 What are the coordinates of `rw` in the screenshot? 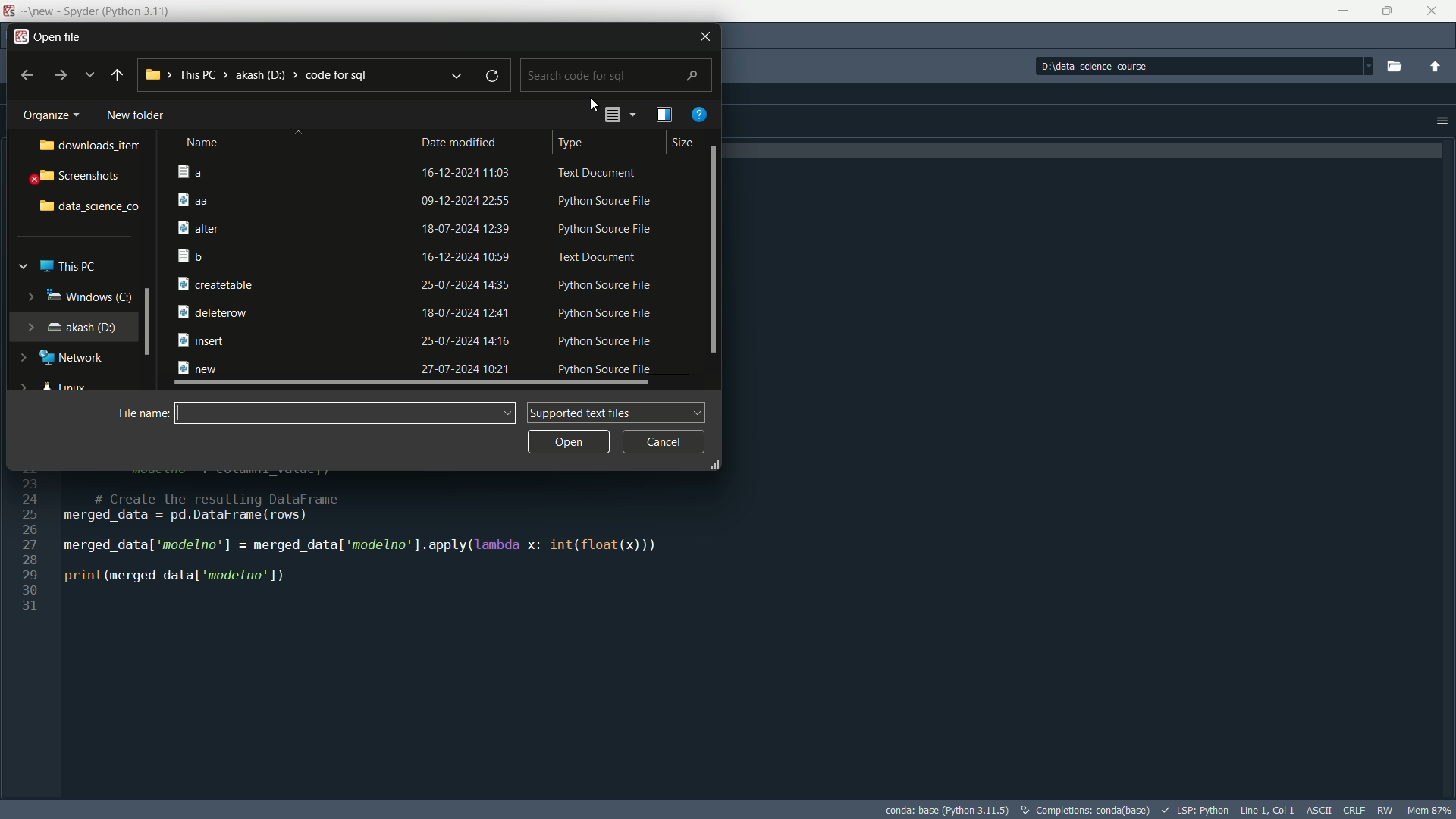 It's located at (1386, 810).